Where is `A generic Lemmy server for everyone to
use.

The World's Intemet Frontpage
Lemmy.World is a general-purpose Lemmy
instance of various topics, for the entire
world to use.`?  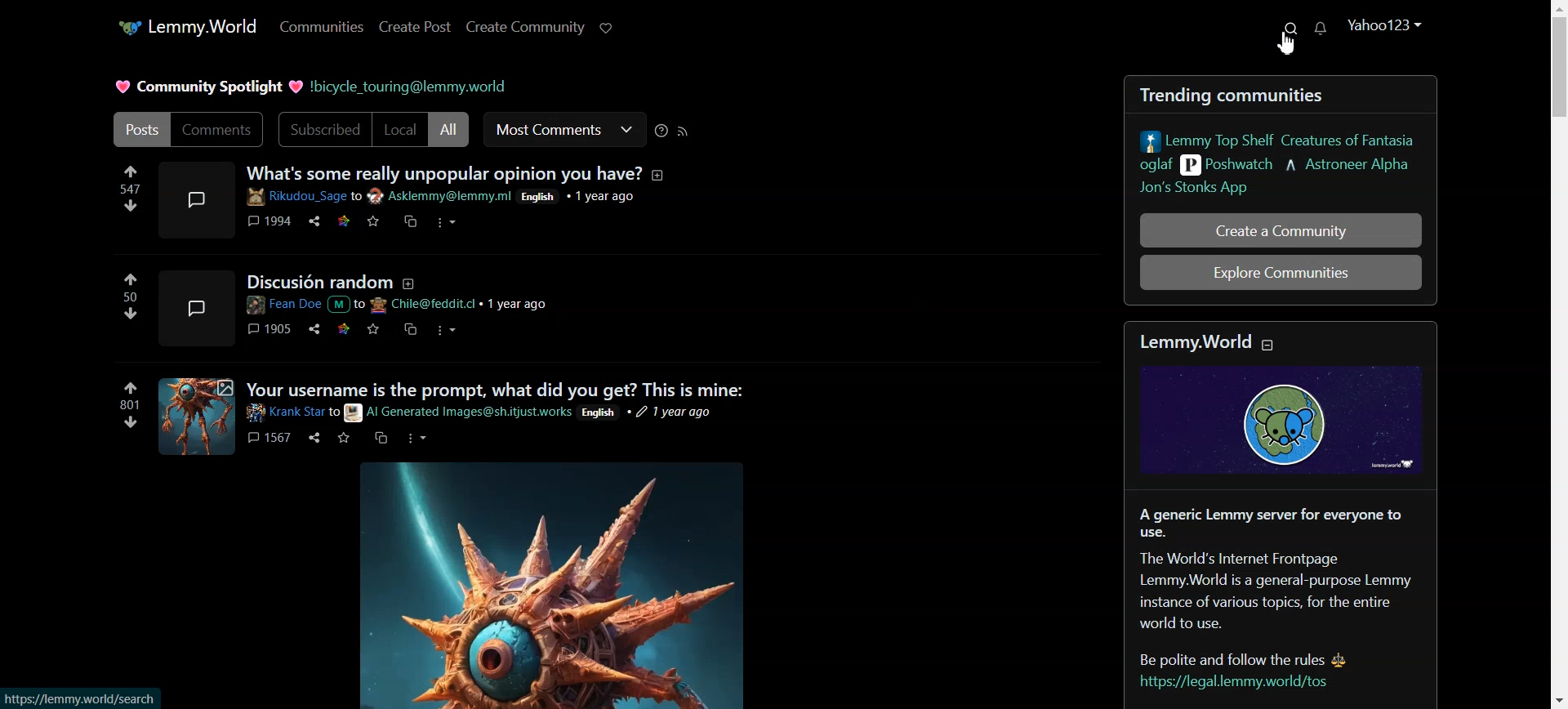 A generic Lemmy server for everyone to
use.

The World's Intemet Frontpage
Lemmy.World is a general-purpose Lemmy
instance of various topics, for the entire
world to use. is located at coordinates (1280, 568).